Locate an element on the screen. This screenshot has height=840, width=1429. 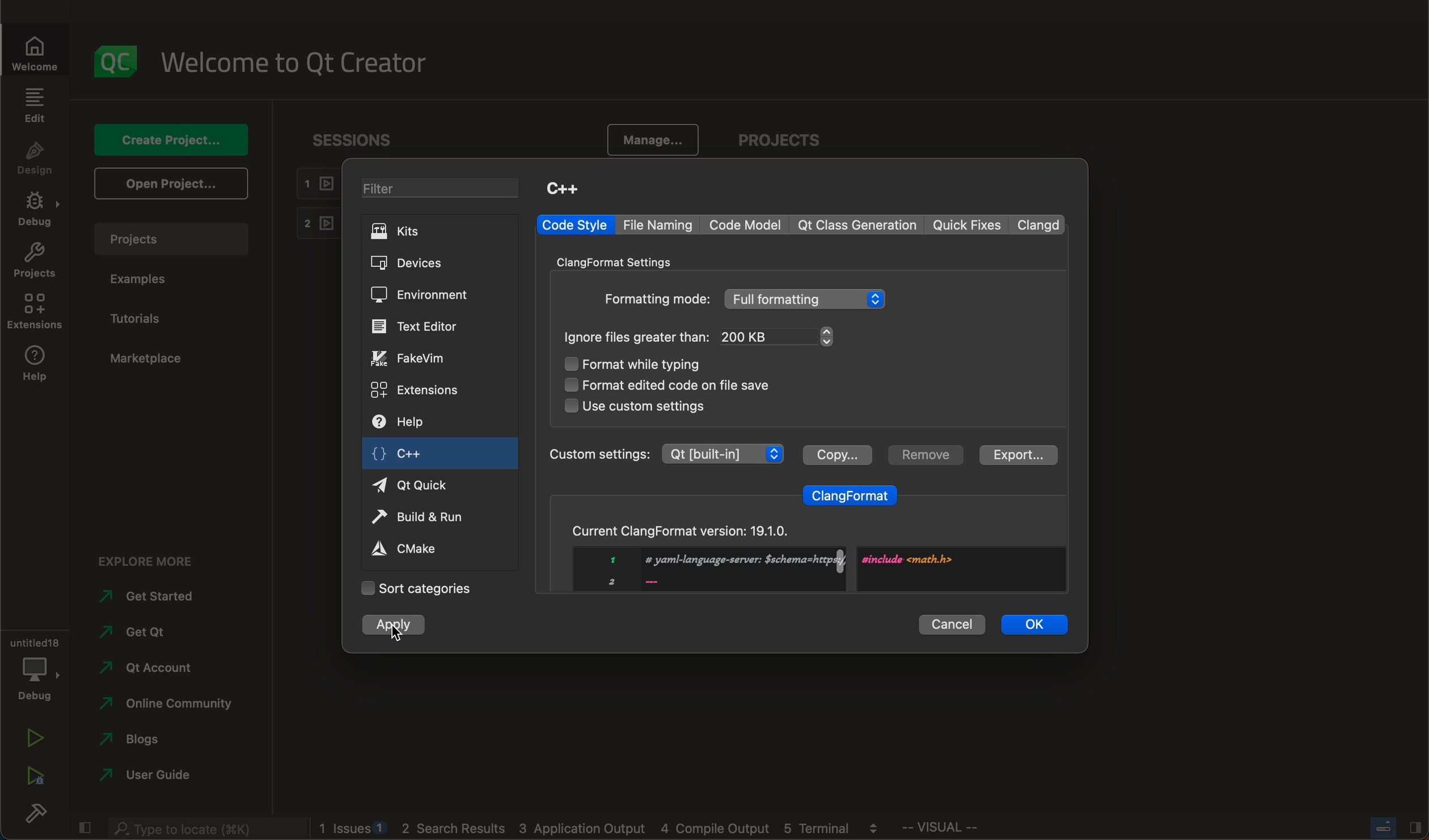
extensions is located at coordinates (417, 389).